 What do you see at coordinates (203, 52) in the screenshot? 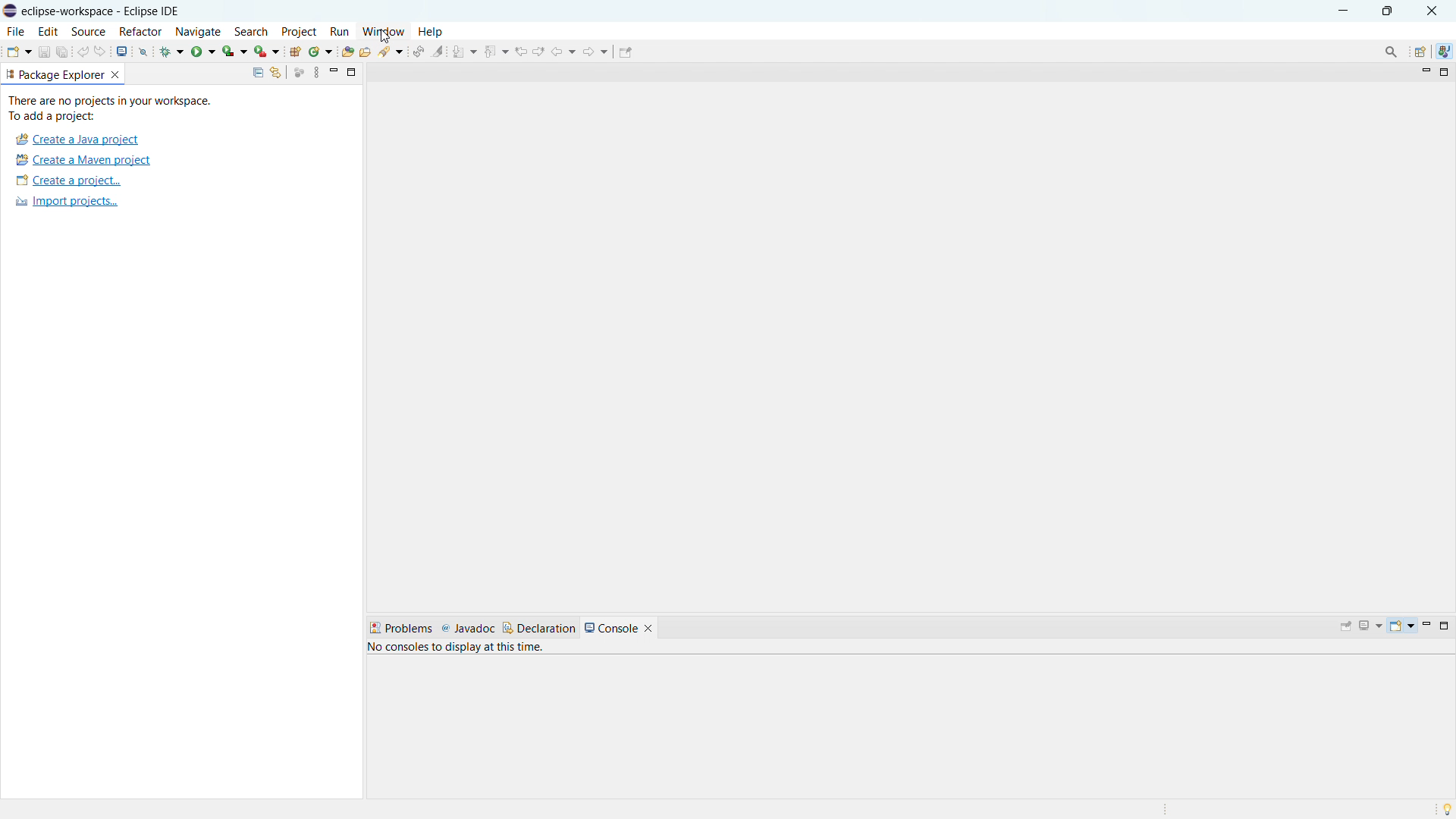
I see `run` at bounding box center [203, 52].